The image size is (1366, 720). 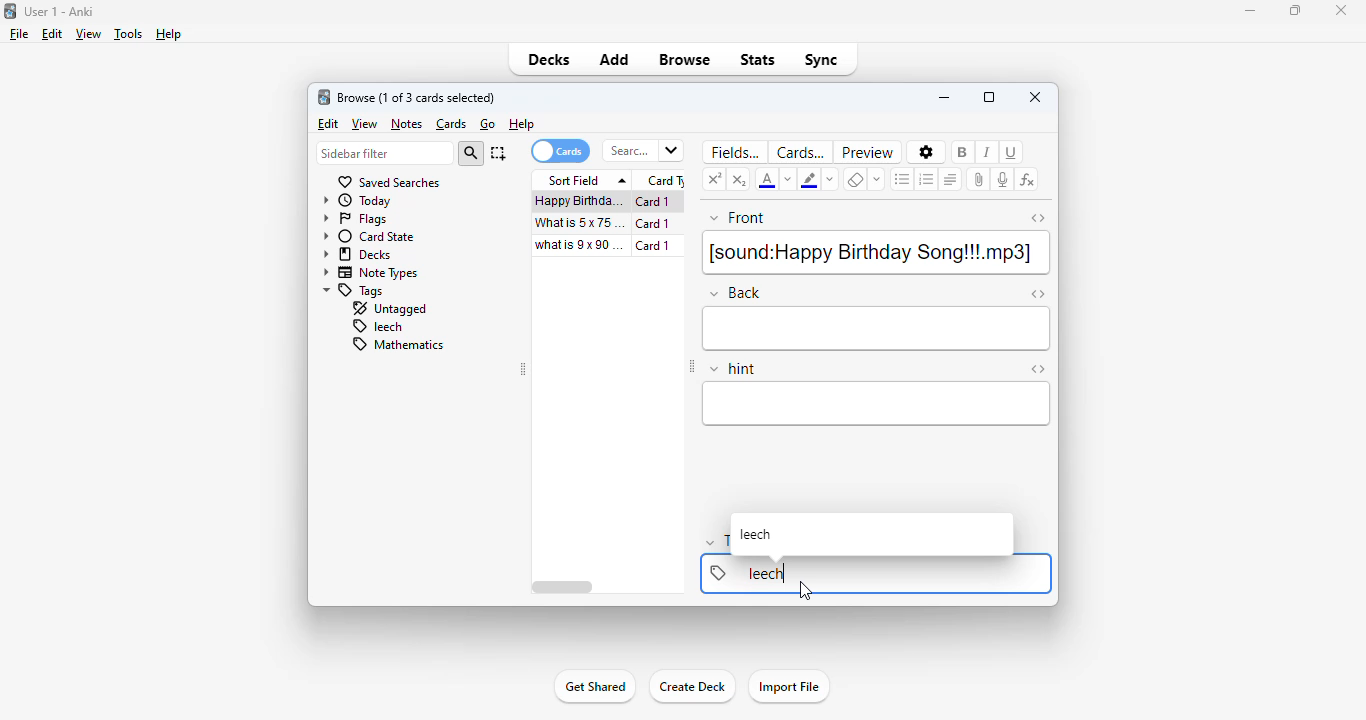 What do you see at coordinates (759, 60) in the screenshot?
I see `stats` at bounding box center [759, 60].